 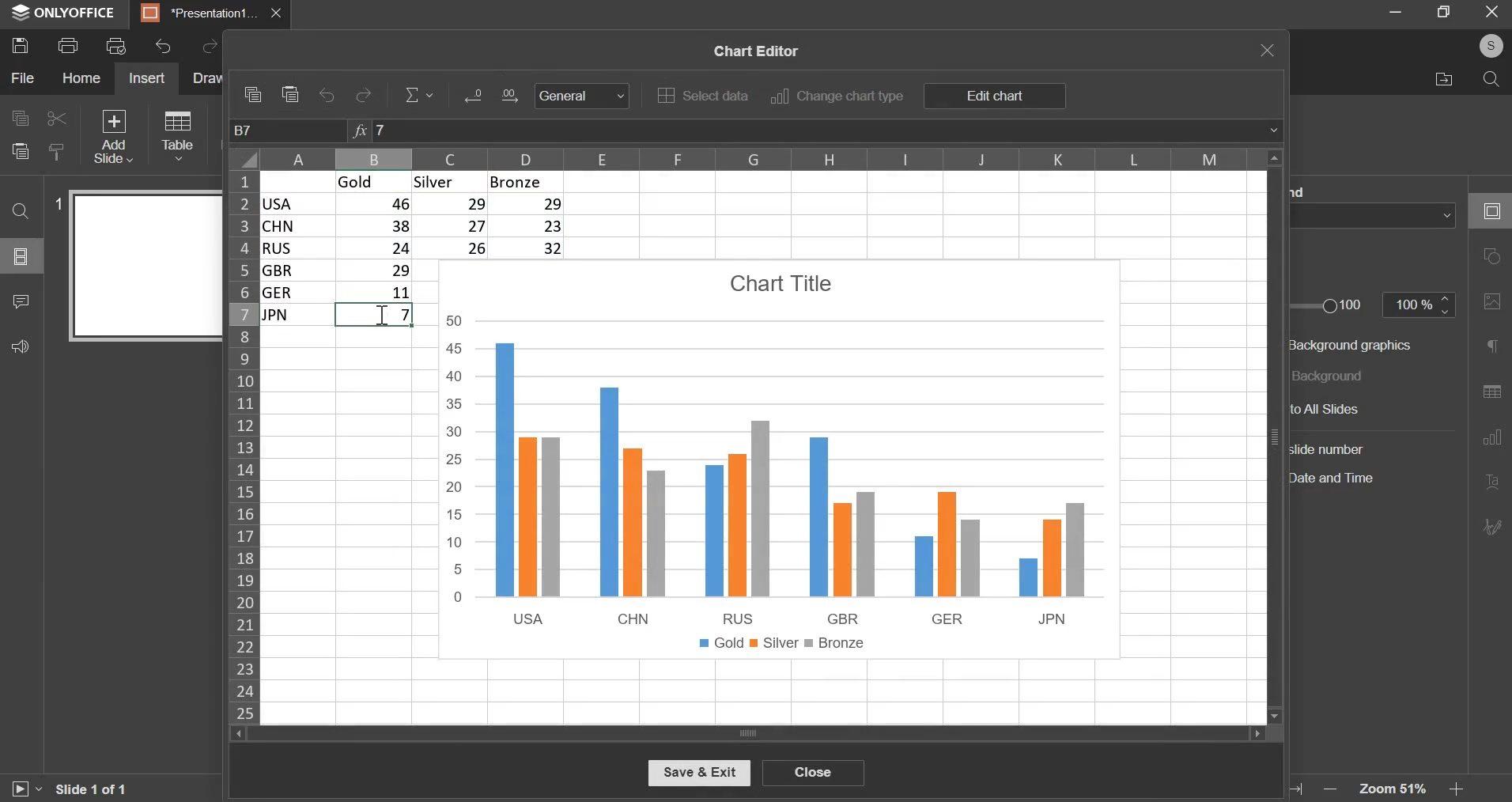 I want to click on General, so click(x=584, y=96).